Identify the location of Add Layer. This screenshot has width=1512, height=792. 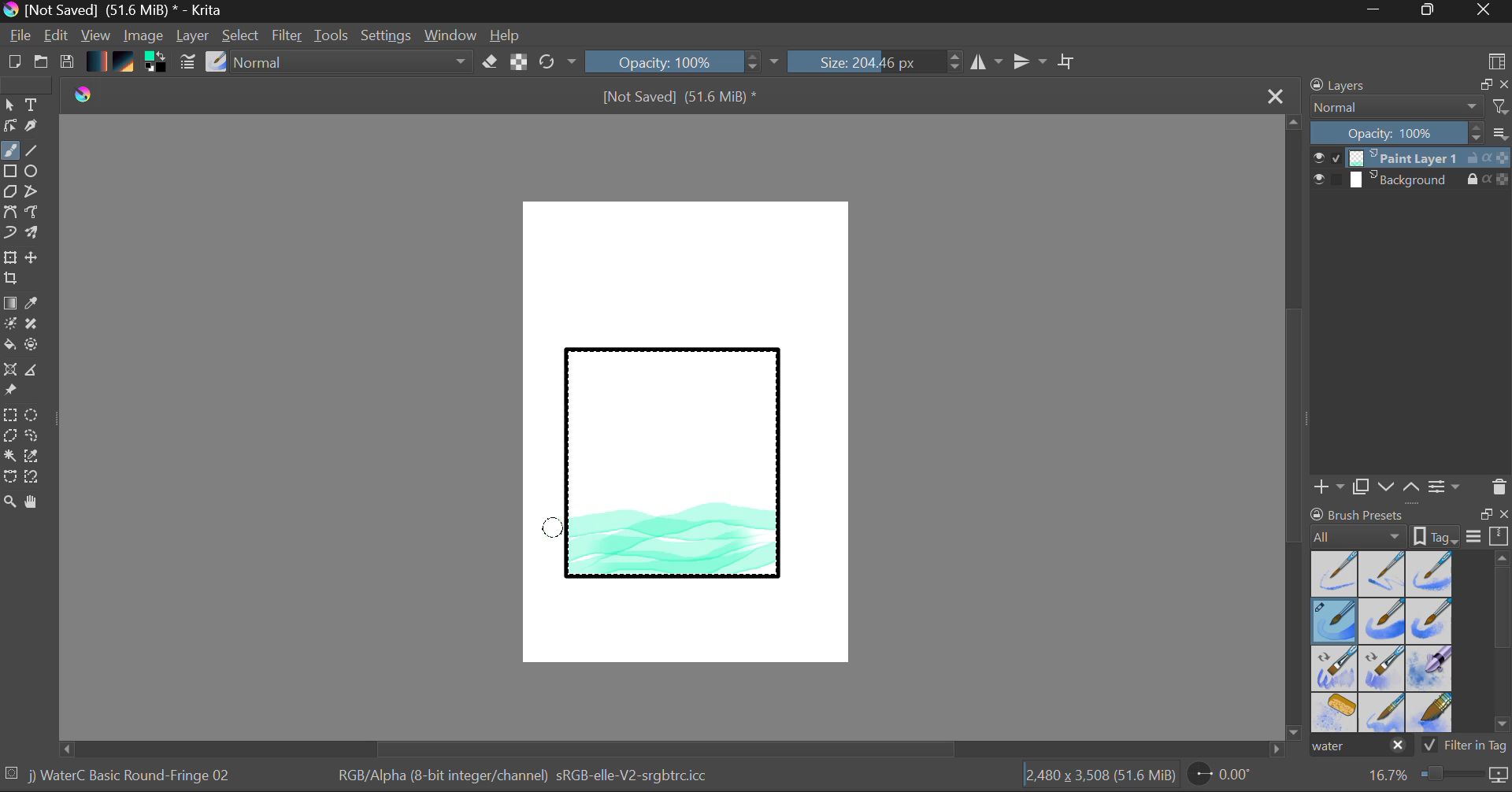
(1329, 487).